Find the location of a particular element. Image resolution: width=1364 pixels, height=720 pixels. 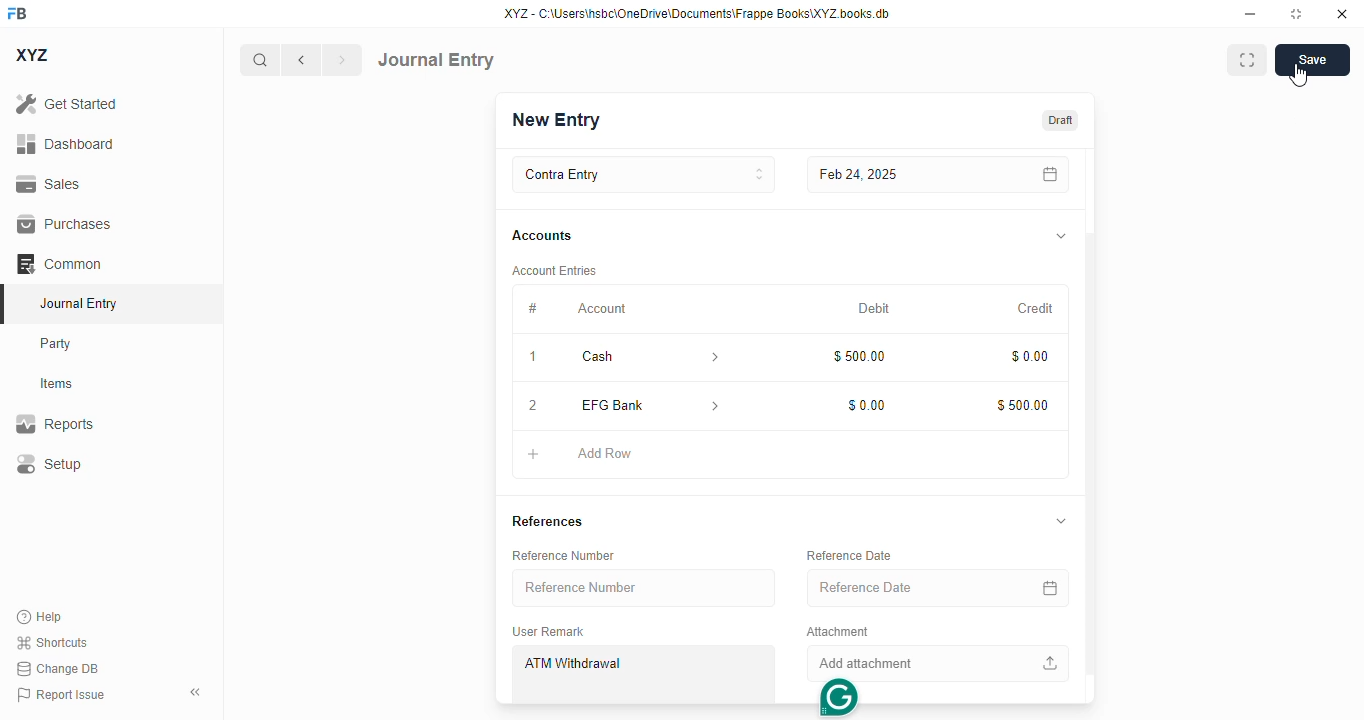

EFG Bank is located at coordinates (620, 405).